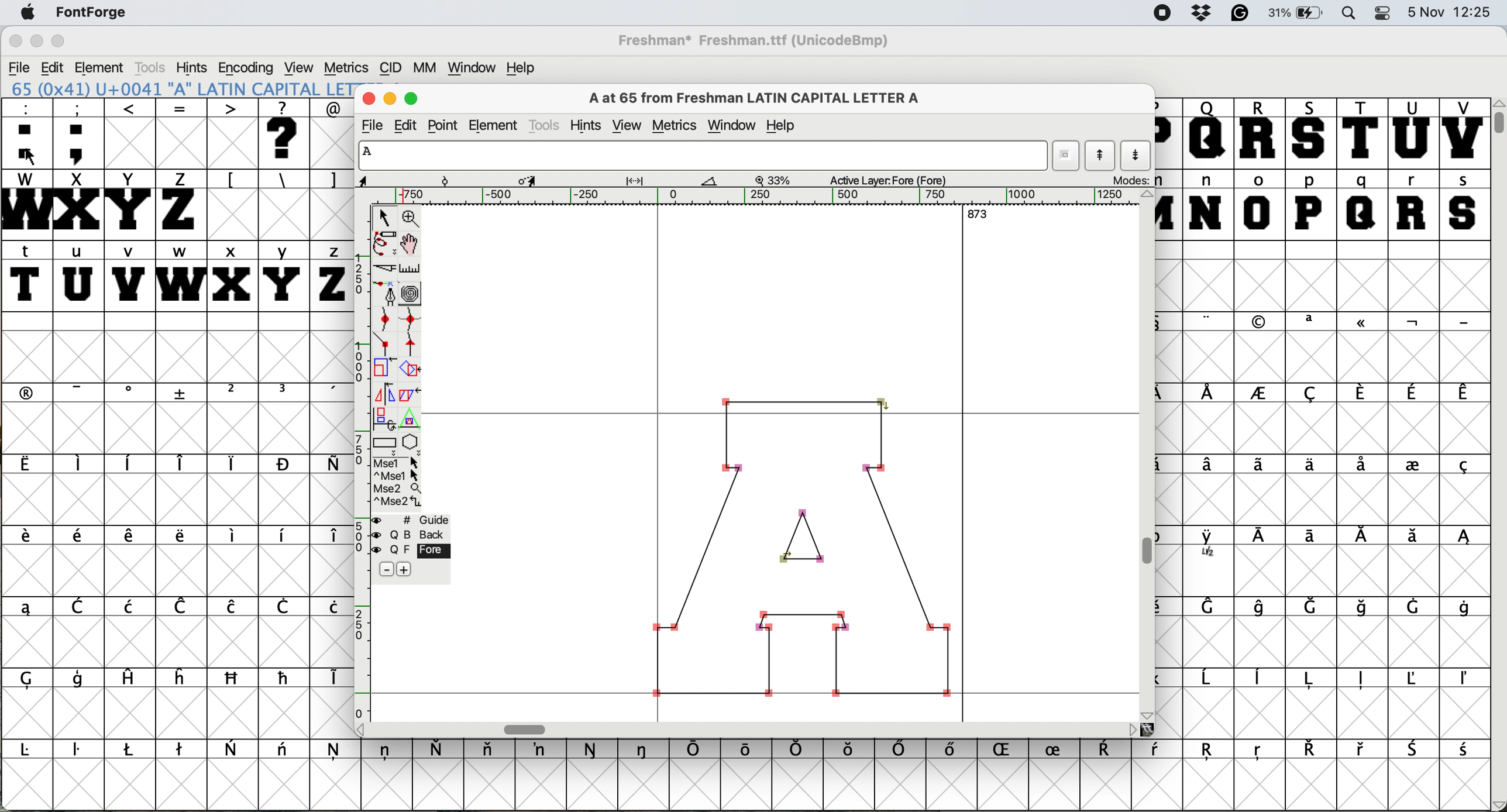  I want to click on symbol, so click(1463, 467).